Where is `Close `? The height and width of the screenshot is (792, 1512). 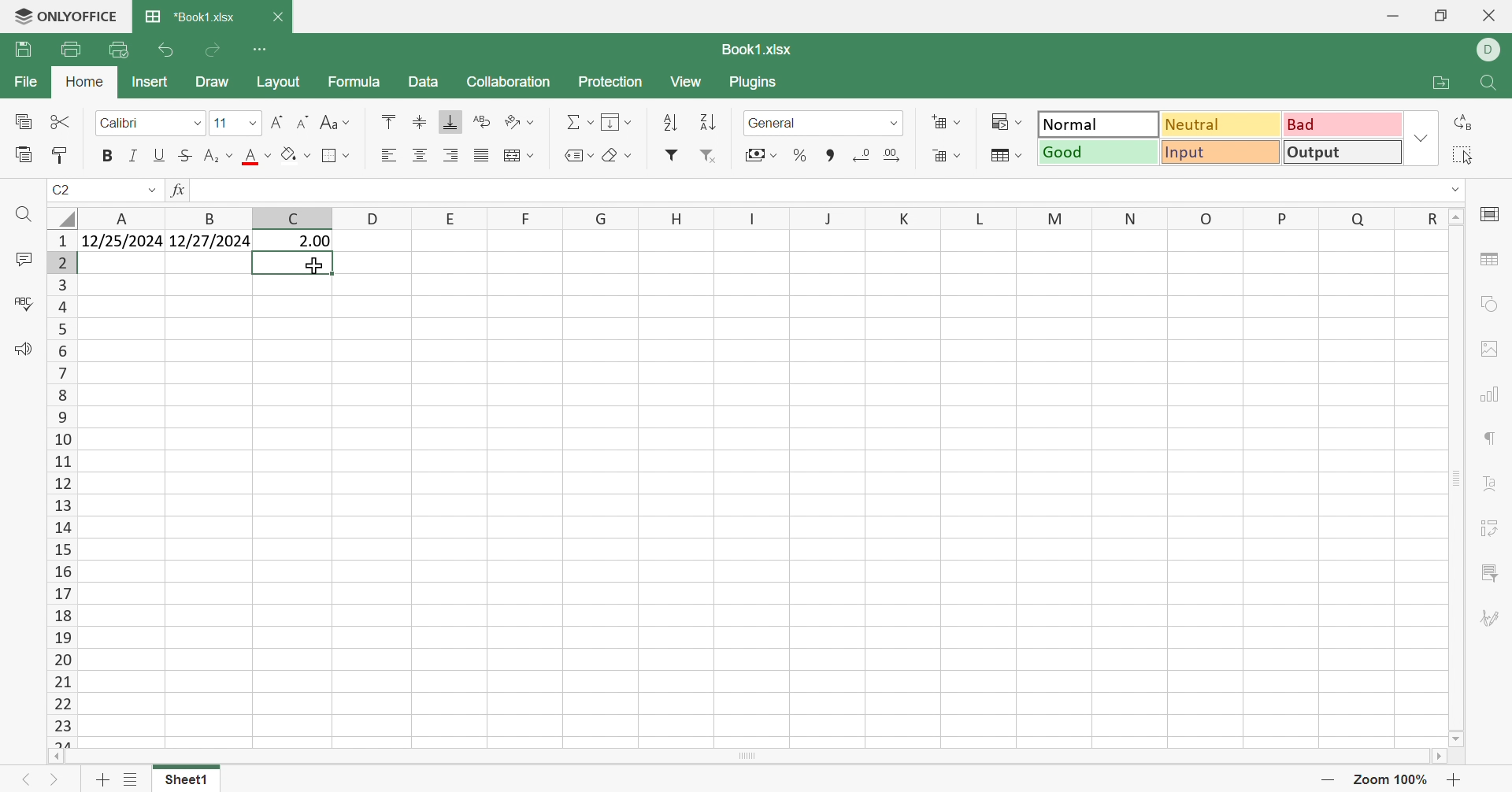
Close  is located at coordinates (1495, 16).